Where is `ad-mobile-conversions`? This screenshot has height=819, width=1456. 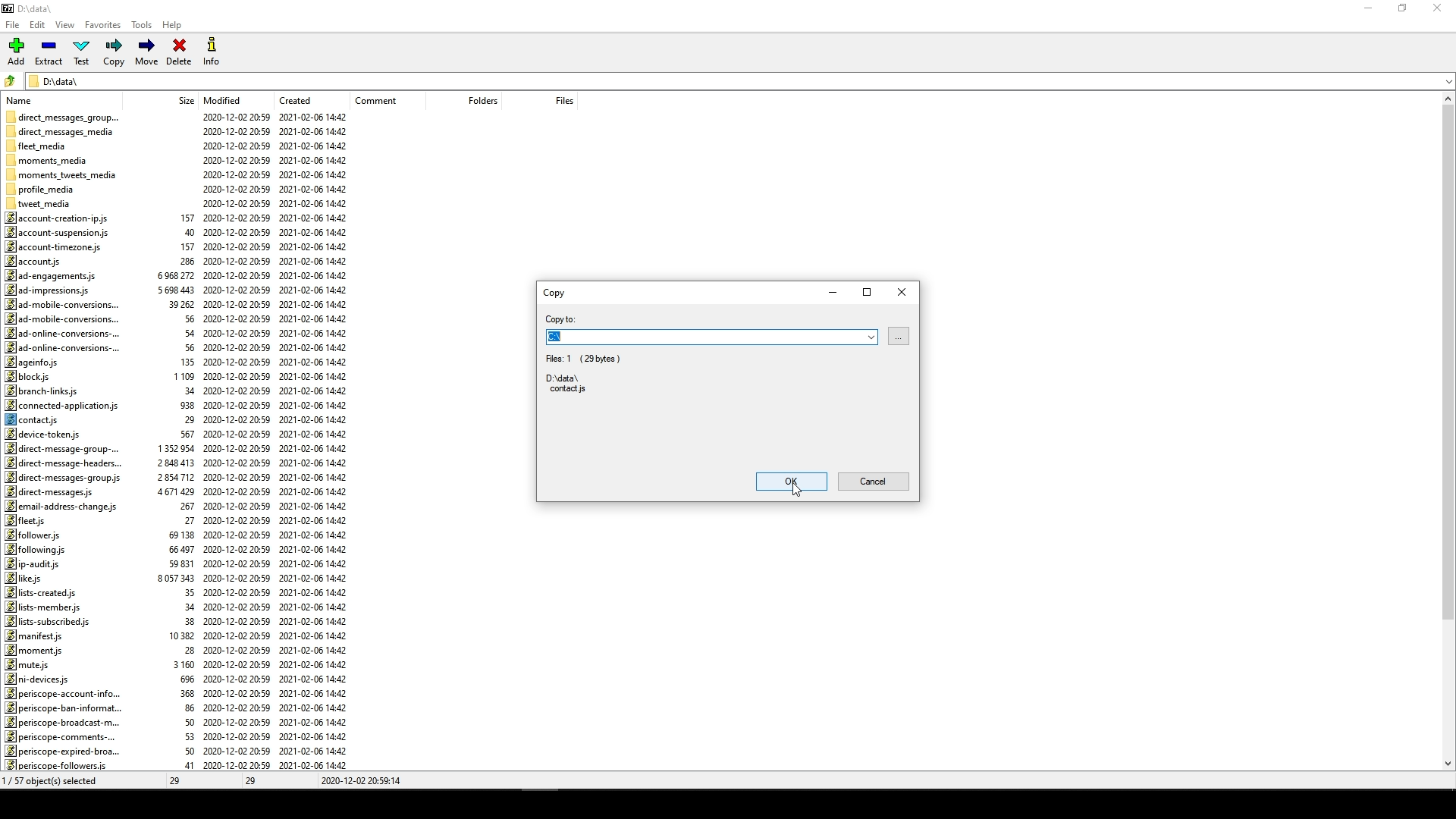 ad-mobile-conversions is located at coordinates (61, 305).